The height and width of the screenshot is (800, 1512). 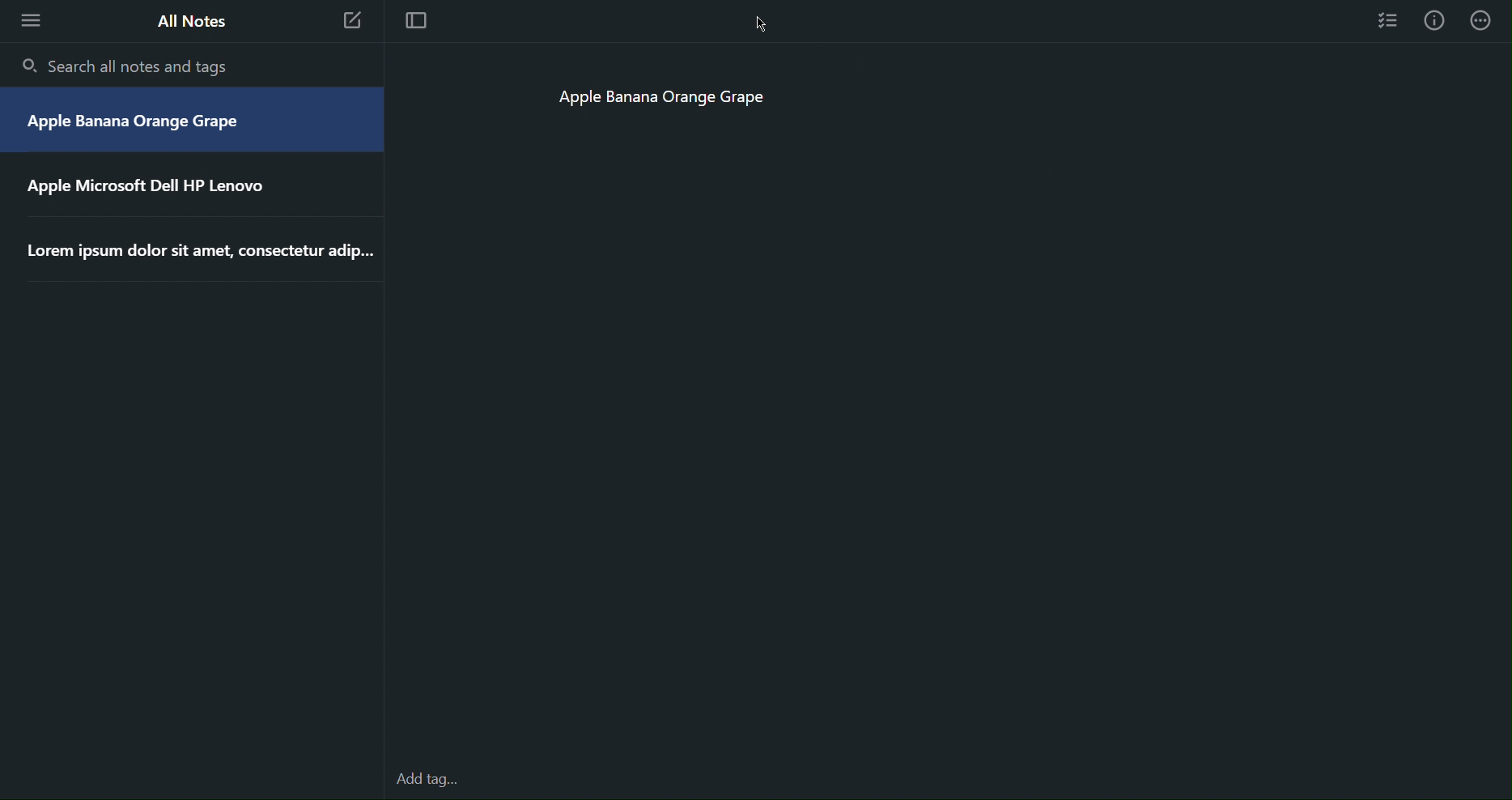 I want to click on Checklist, so click(x=1389, y=19).